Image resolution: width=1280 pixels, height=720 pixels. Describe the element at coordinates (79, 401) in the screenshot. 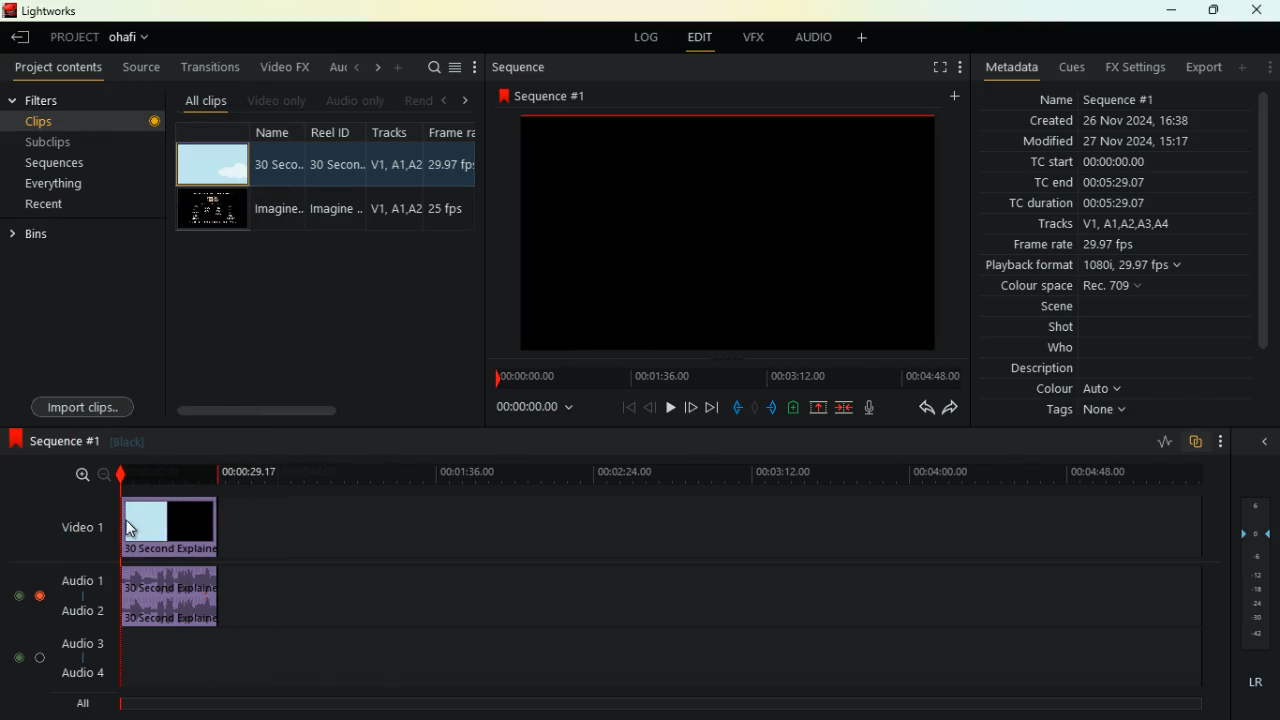

I see `import clips` at that location.